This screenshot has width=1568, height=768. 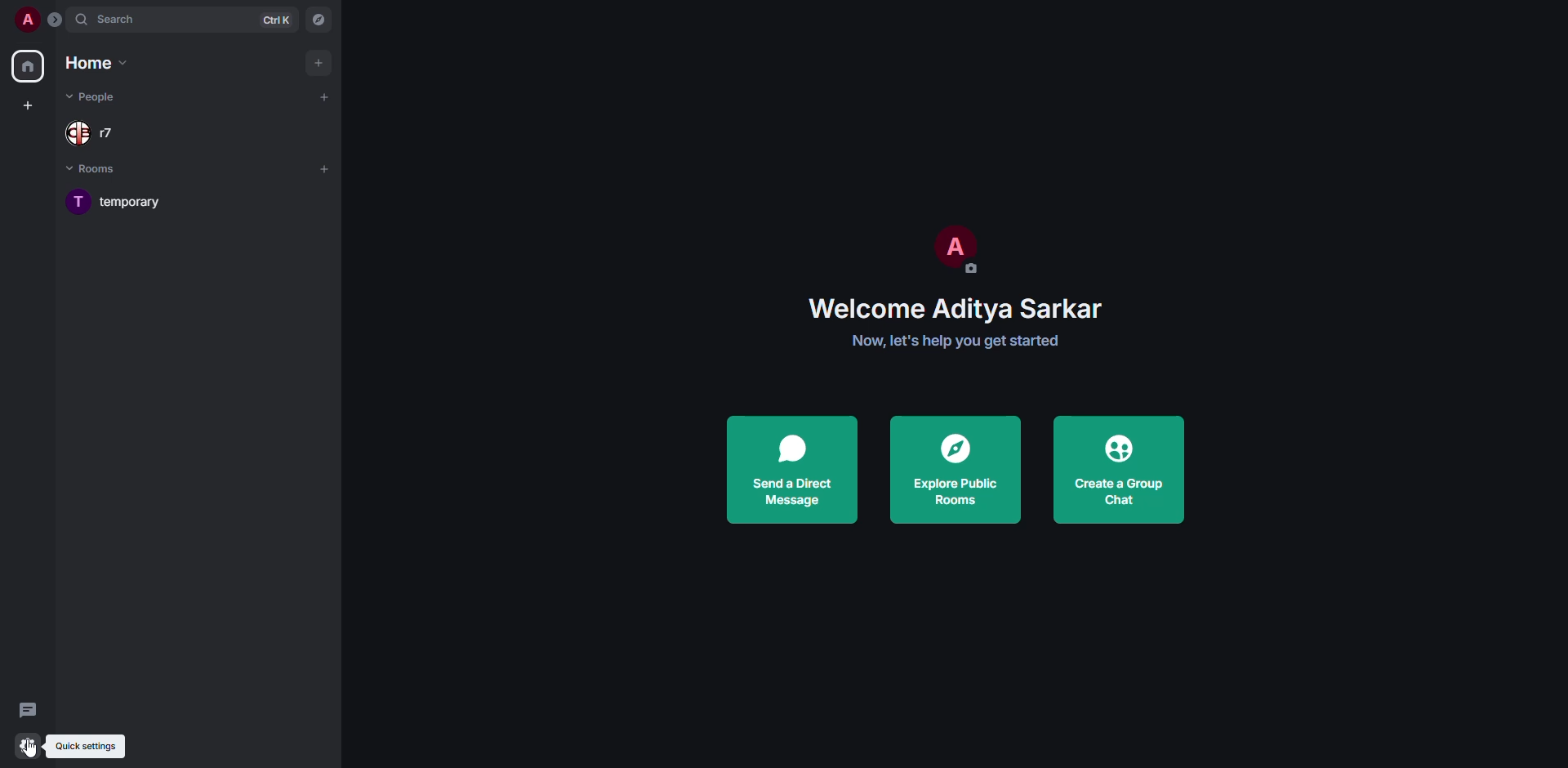 What do you see at coordinates (327, 167) in the screenshot?
I see `add` at bounding box center [327, 167].